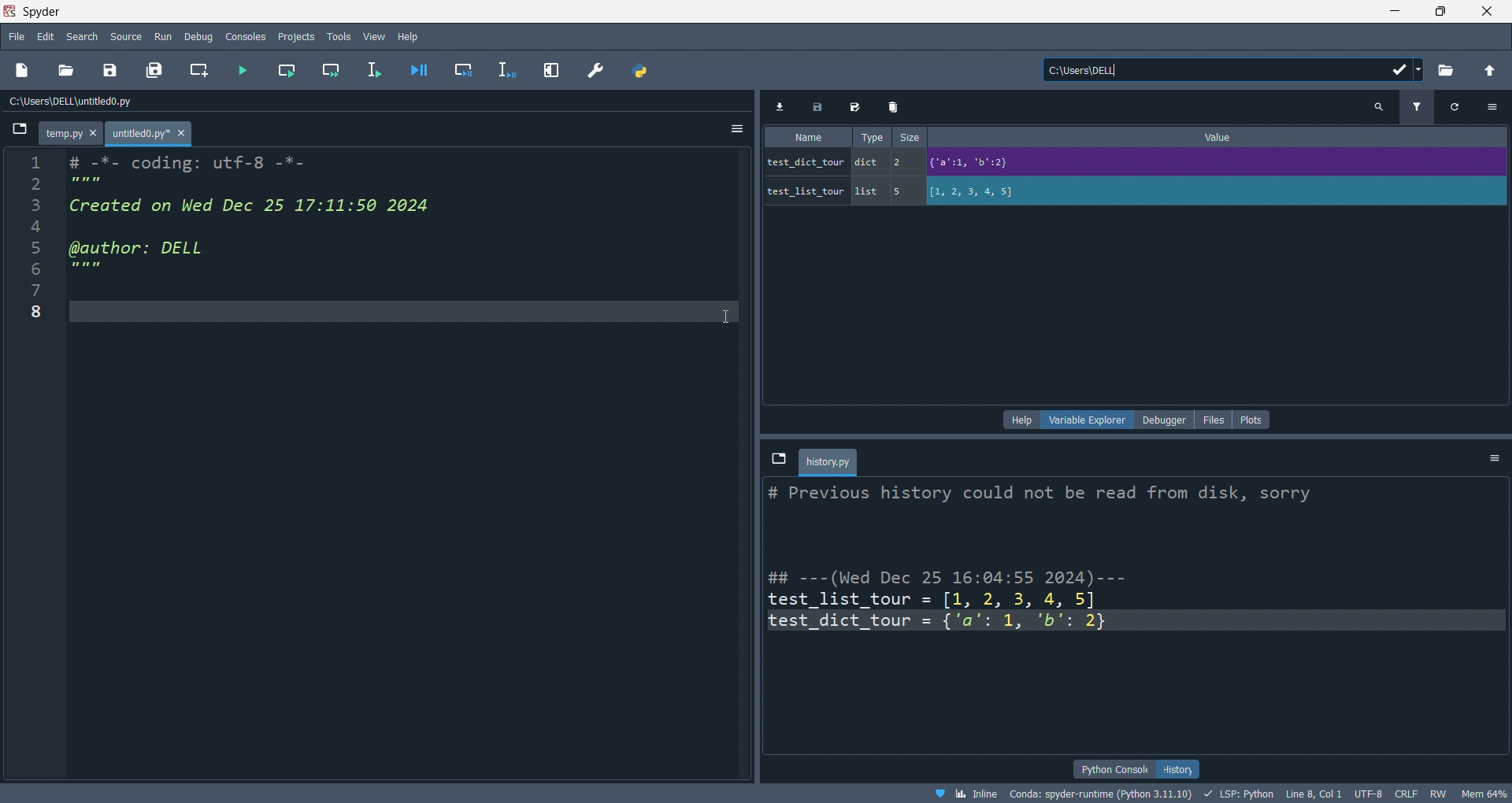 This screenshot has height=803, width=1512. Describe the element at coordinates (777, 457) in the screenshot. I see `browse tabs` at that location.